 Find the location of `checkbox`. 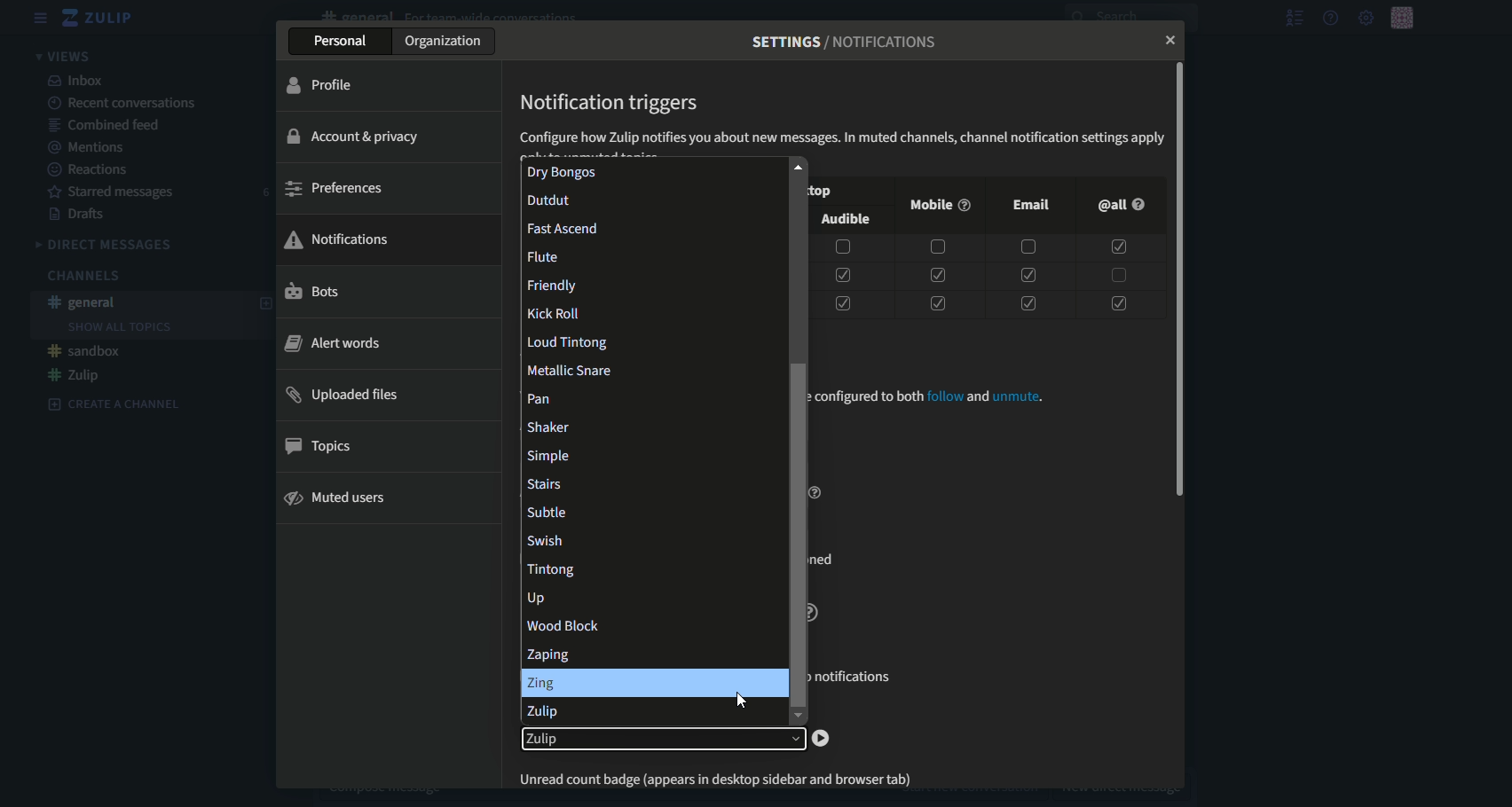

checkbox is located at coordinates (935, 247).